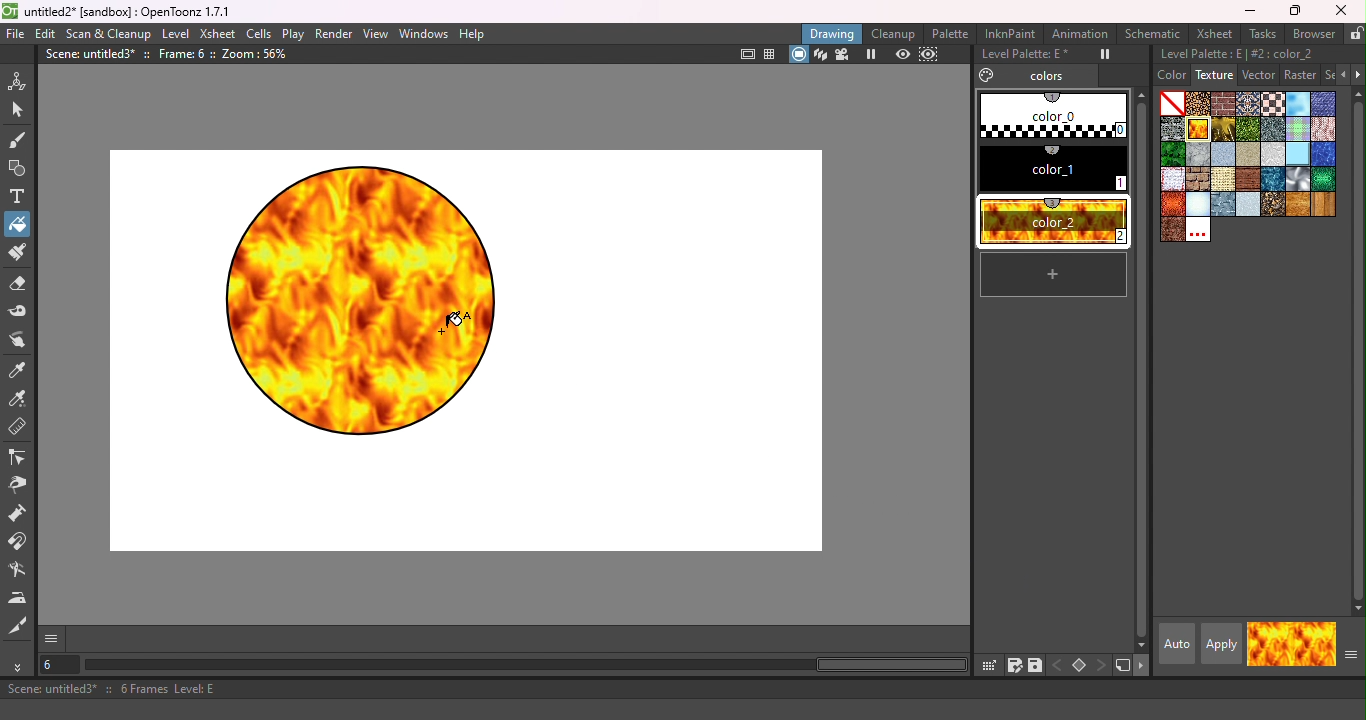 This screenshot has height=720, width=1366. Describe the element at coordinates (1312, 35) in the screenshot. I see `Browser` at that location.